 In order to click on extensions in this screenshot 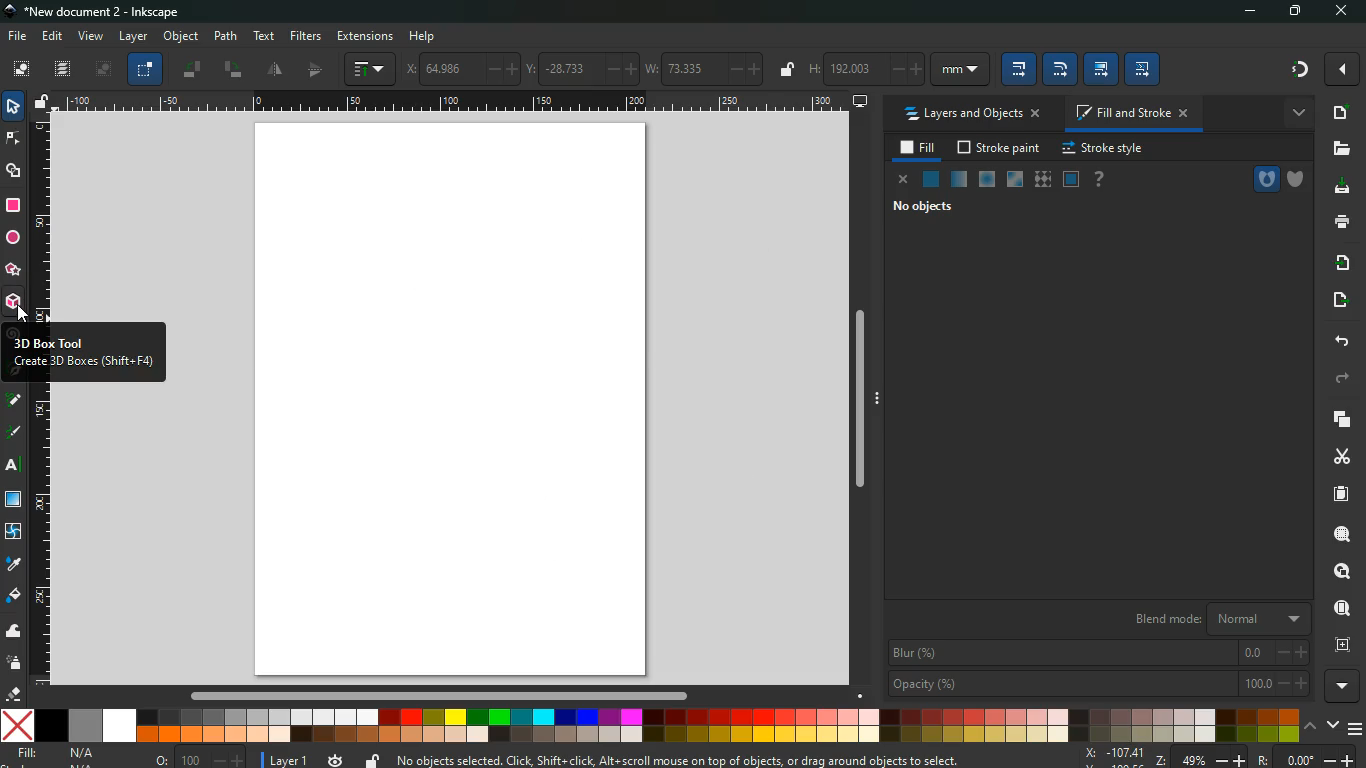, I will do `click(365, 37)`.